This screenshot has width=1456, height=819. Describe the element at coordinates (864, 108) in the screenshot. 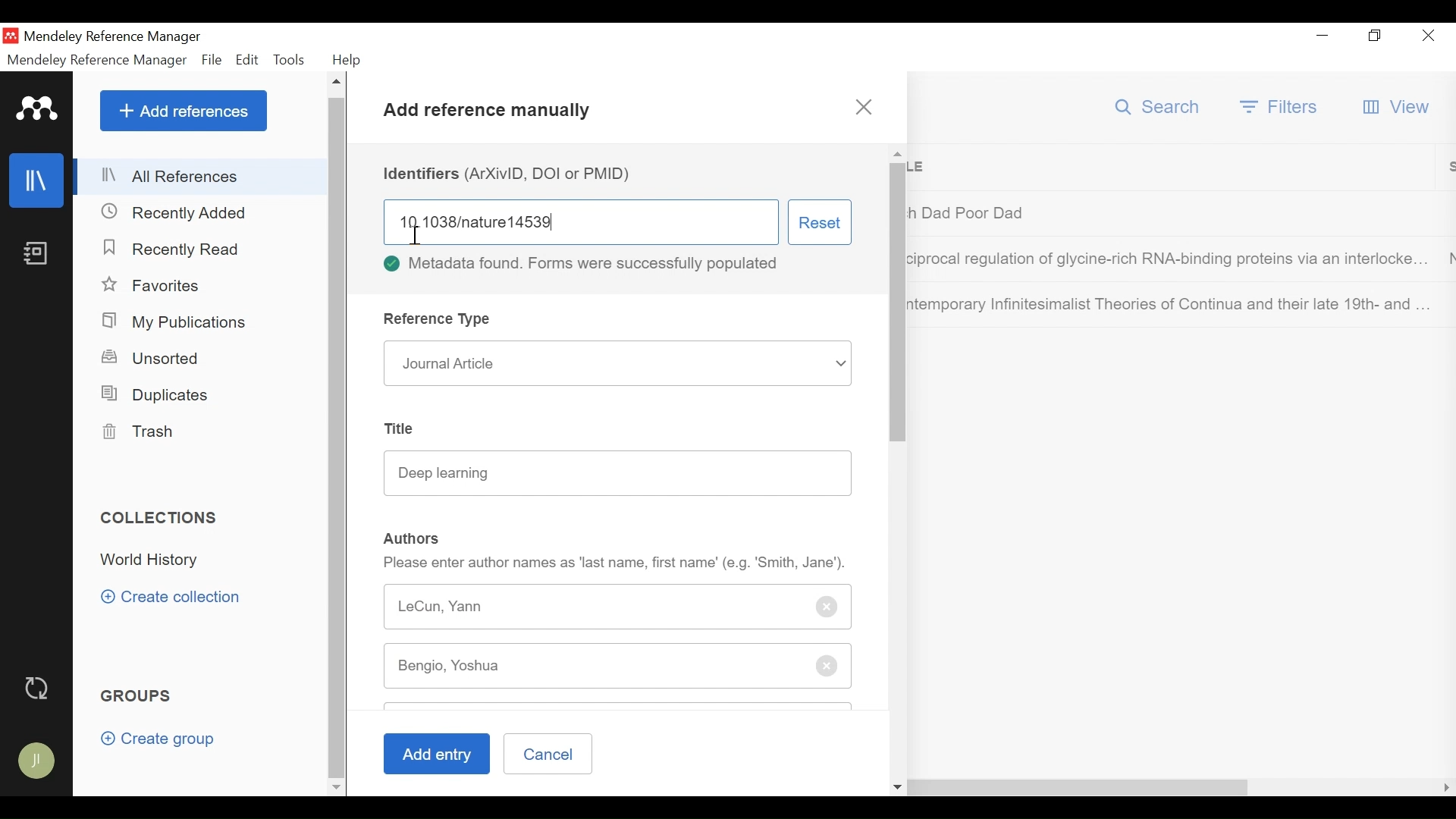

I see `Close` at that location.